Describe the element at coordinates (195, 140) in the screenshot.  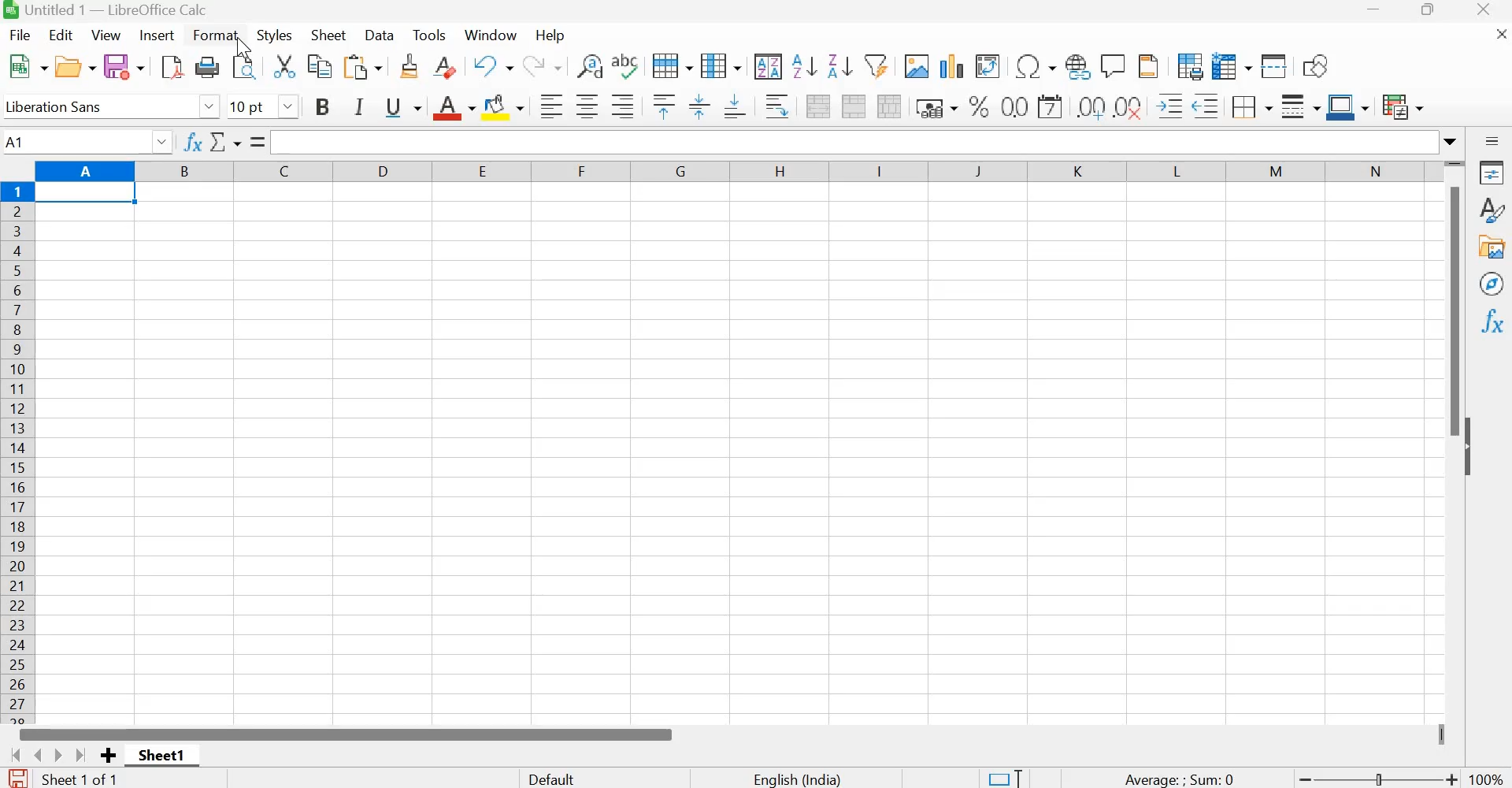
I see `Function wizard` at that location.